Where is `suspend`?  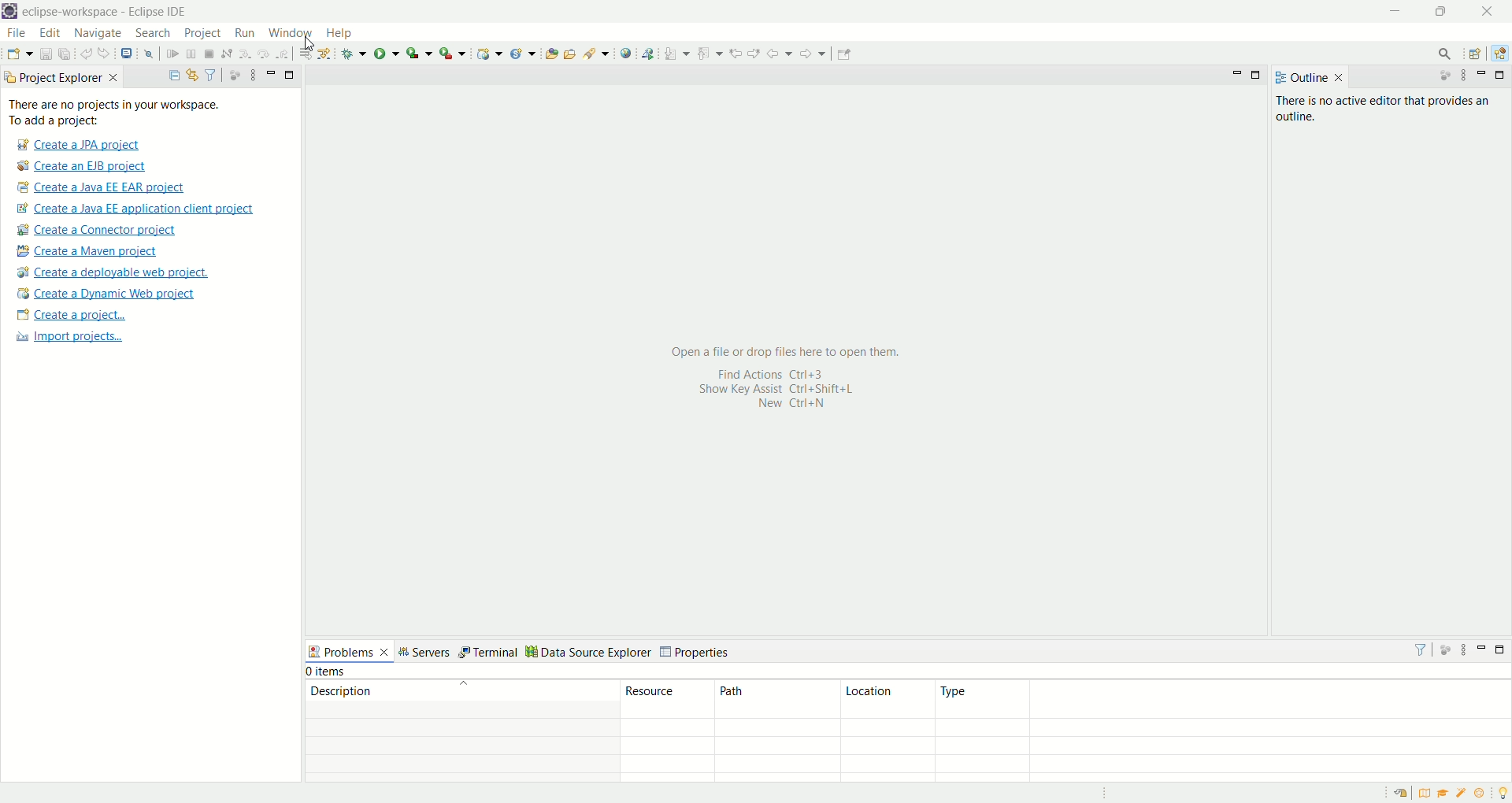 suspend is located at coordinates (192, 53).